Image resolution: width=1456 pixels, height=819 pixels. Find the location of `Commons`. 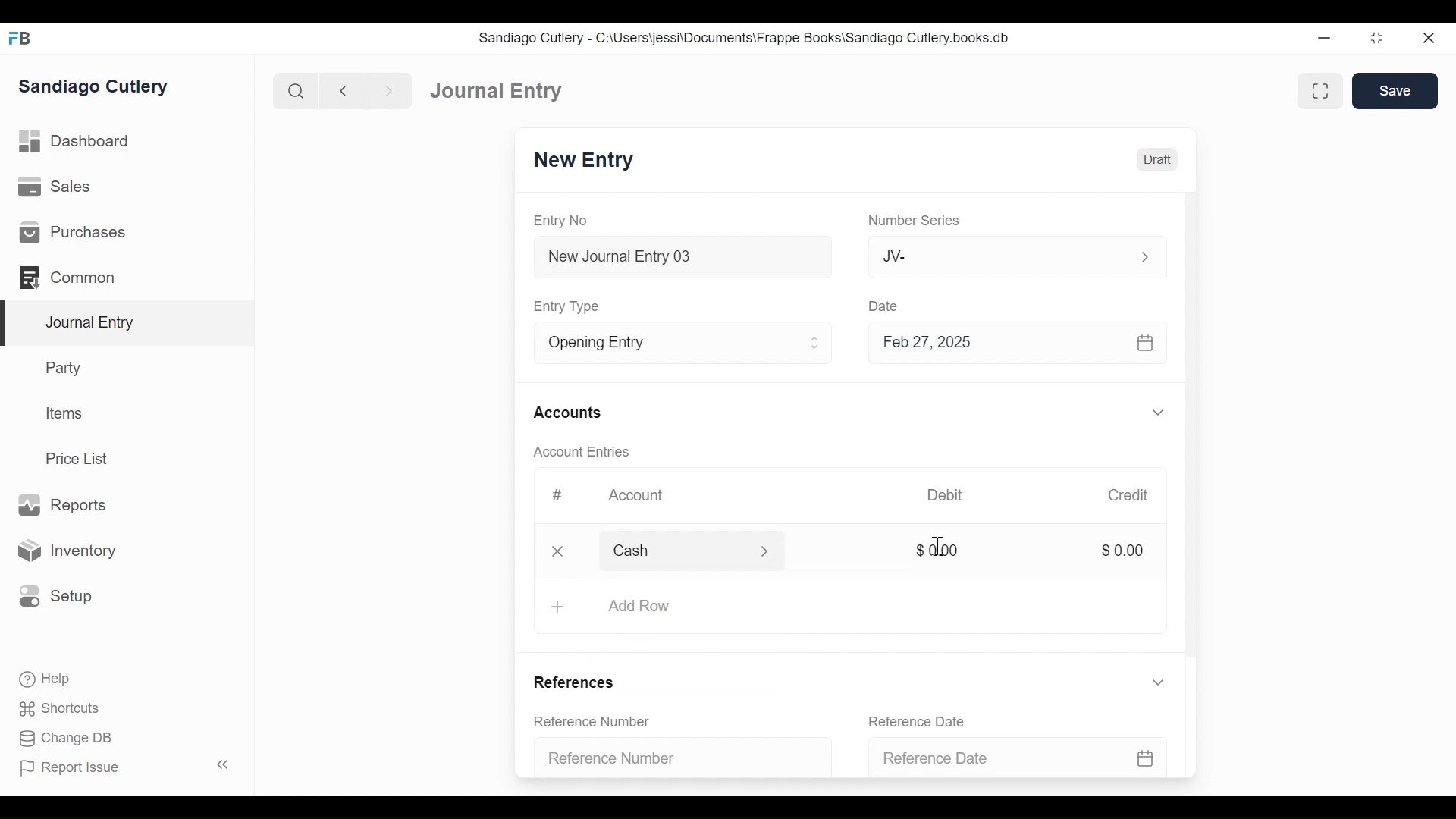

Commons is located at coordinates (66, 277).